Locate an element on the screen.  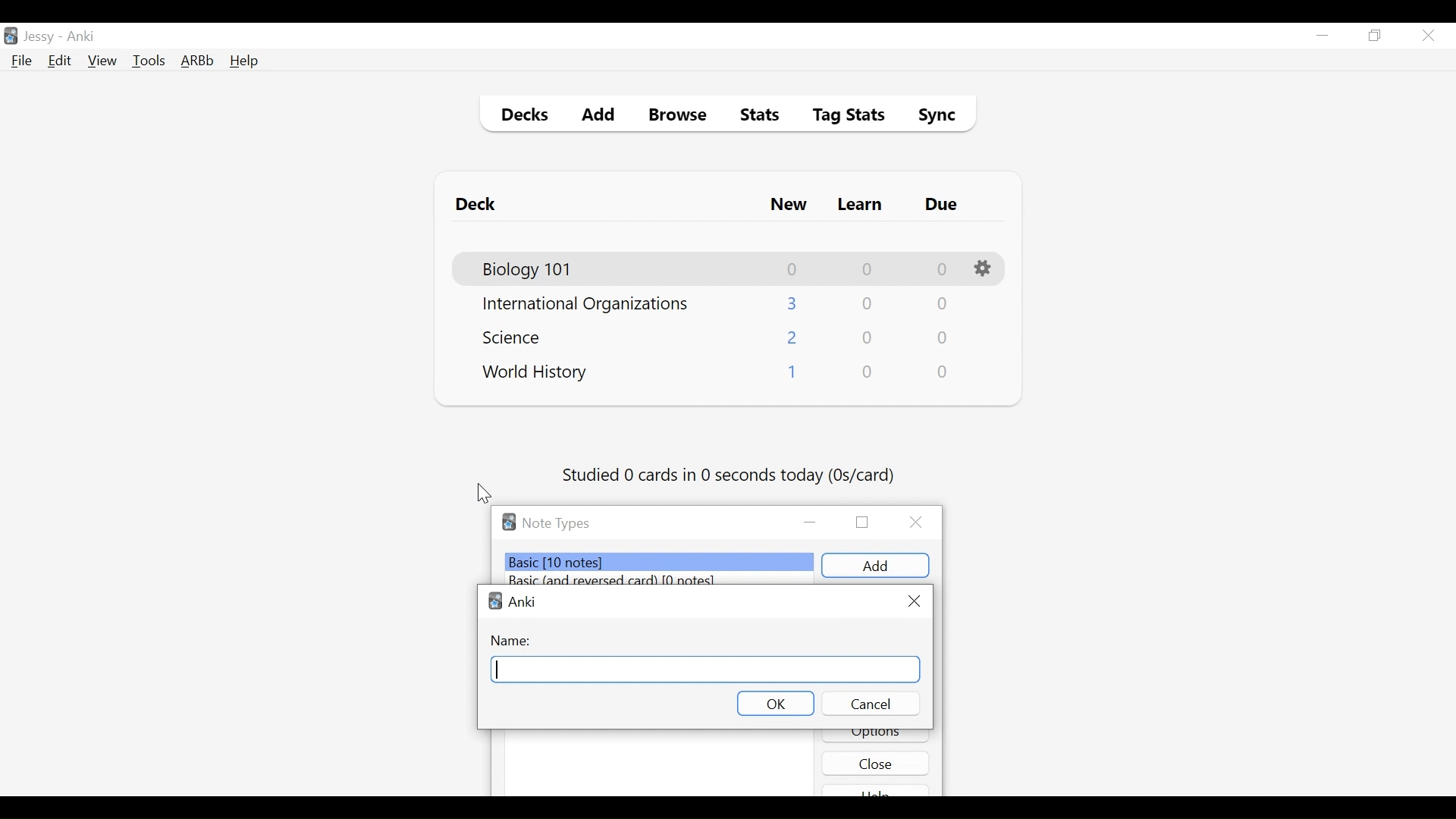
OK is located at coordinates (777, 704).